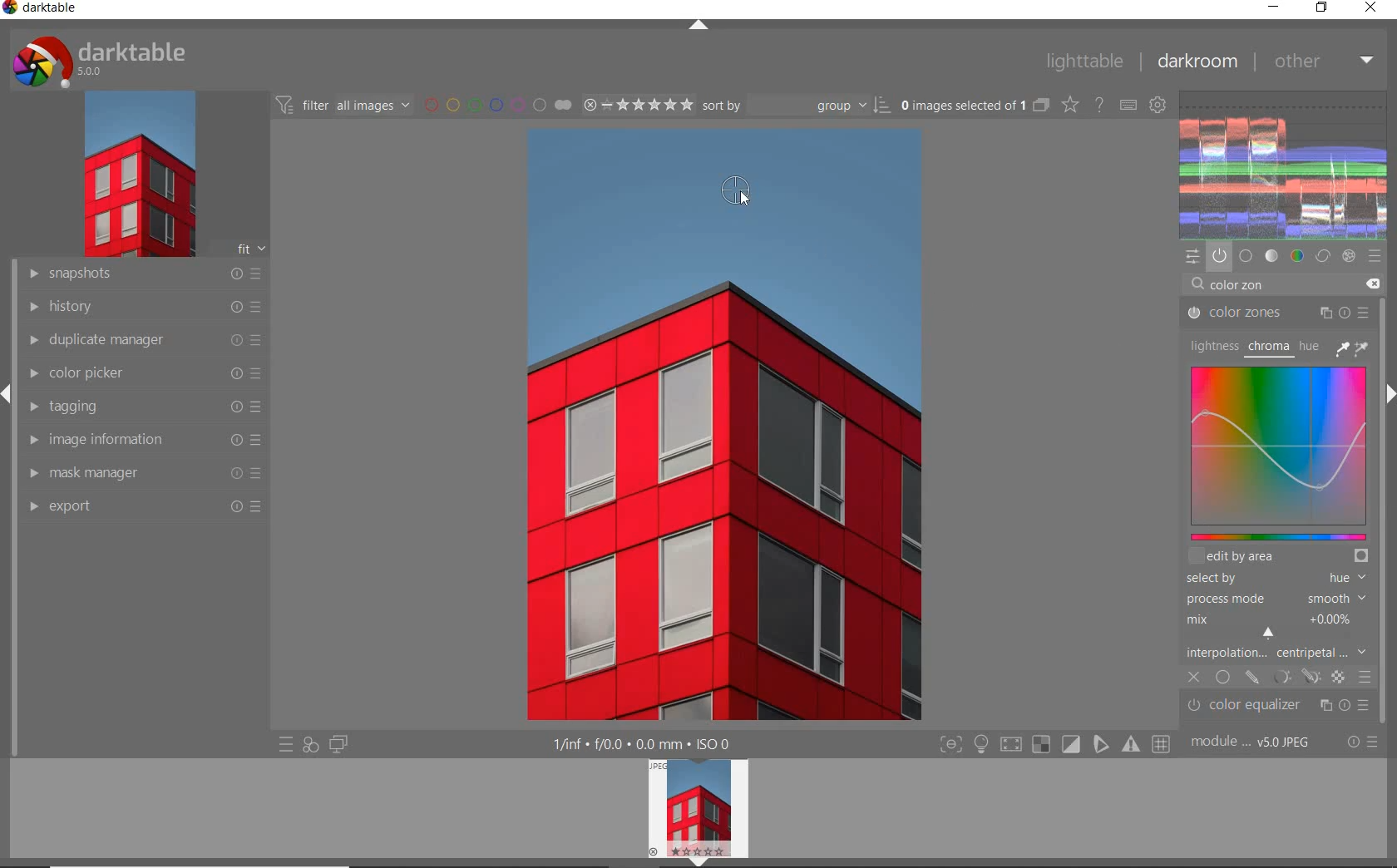 This screenshot has width=1397, height=868. What do you see at coordinates (141, 407) in the screenshot?
I see `tagging` at bounding box center [141, 407].